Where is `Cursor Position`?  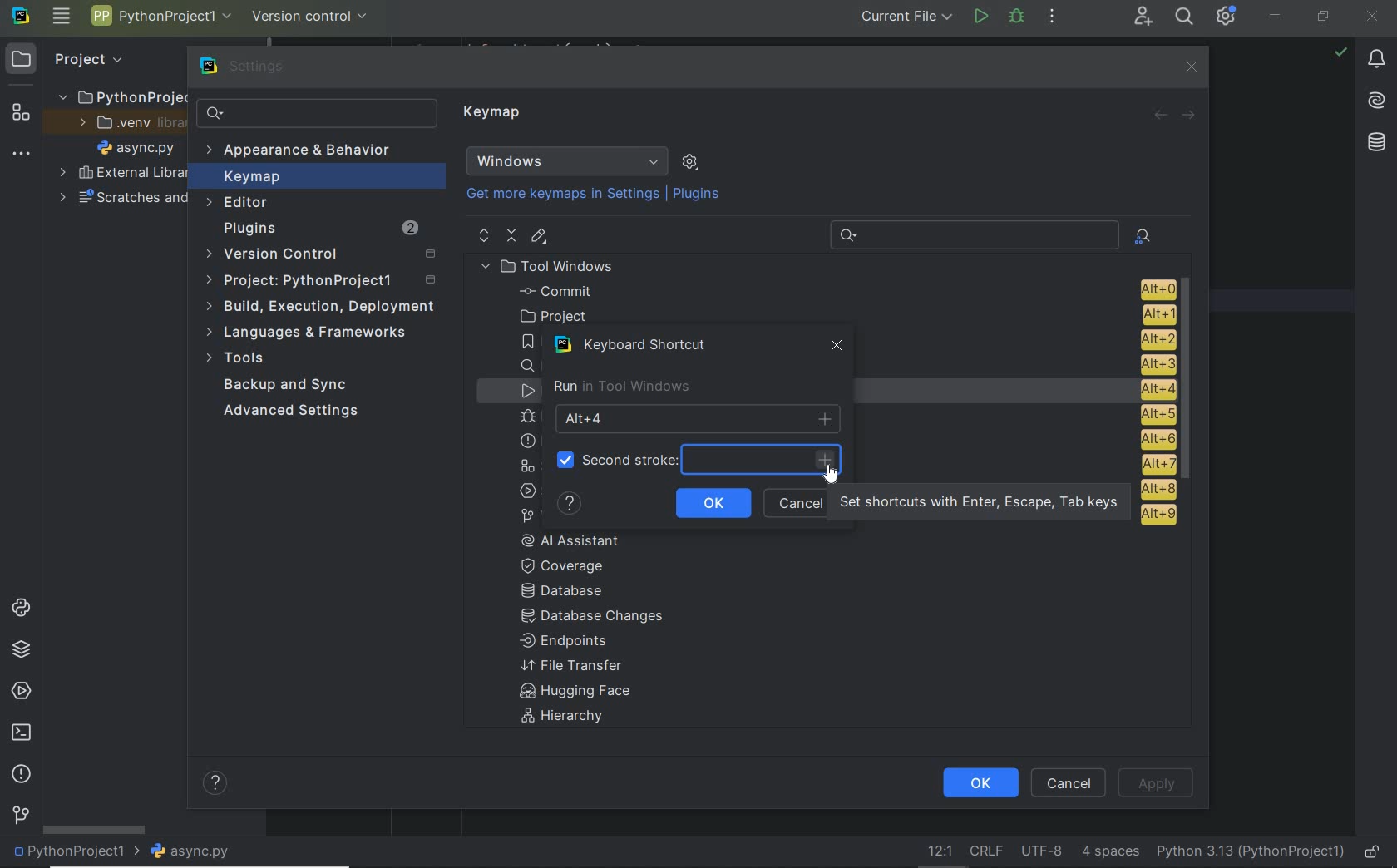
Cursor Position is located at coordinates (832, 474).